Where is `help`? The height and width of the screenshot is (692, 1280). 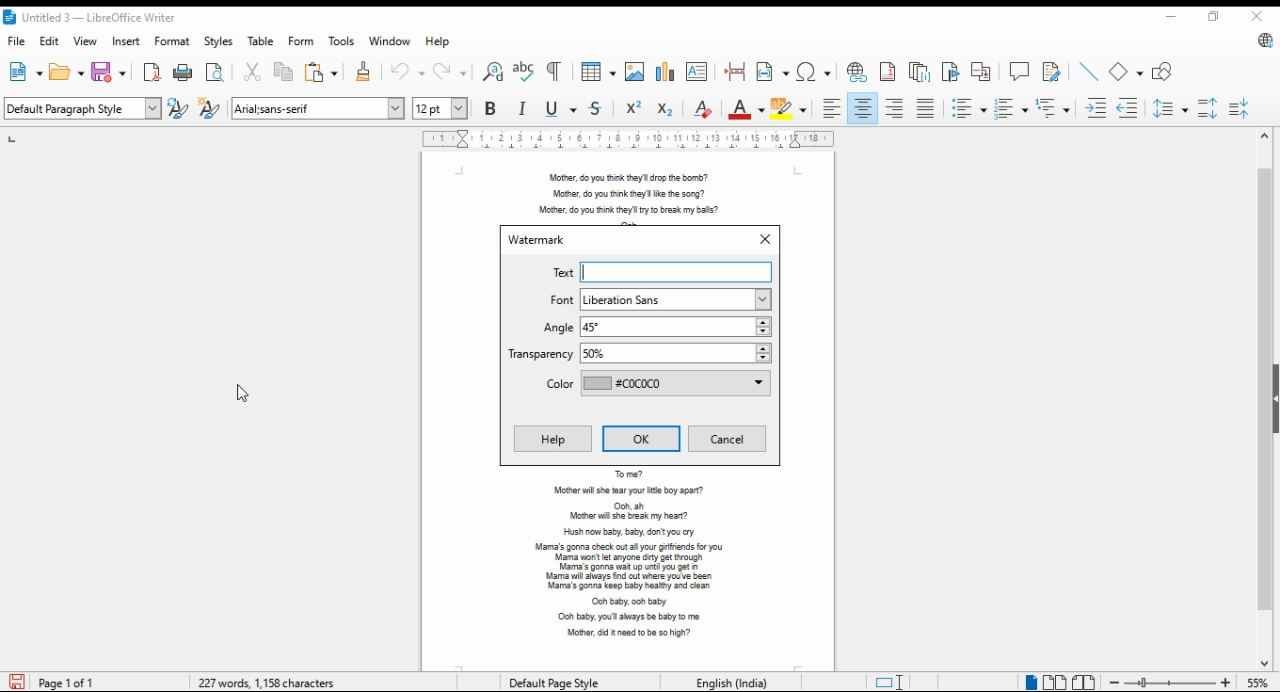
help is located at coordinates (553, 440).